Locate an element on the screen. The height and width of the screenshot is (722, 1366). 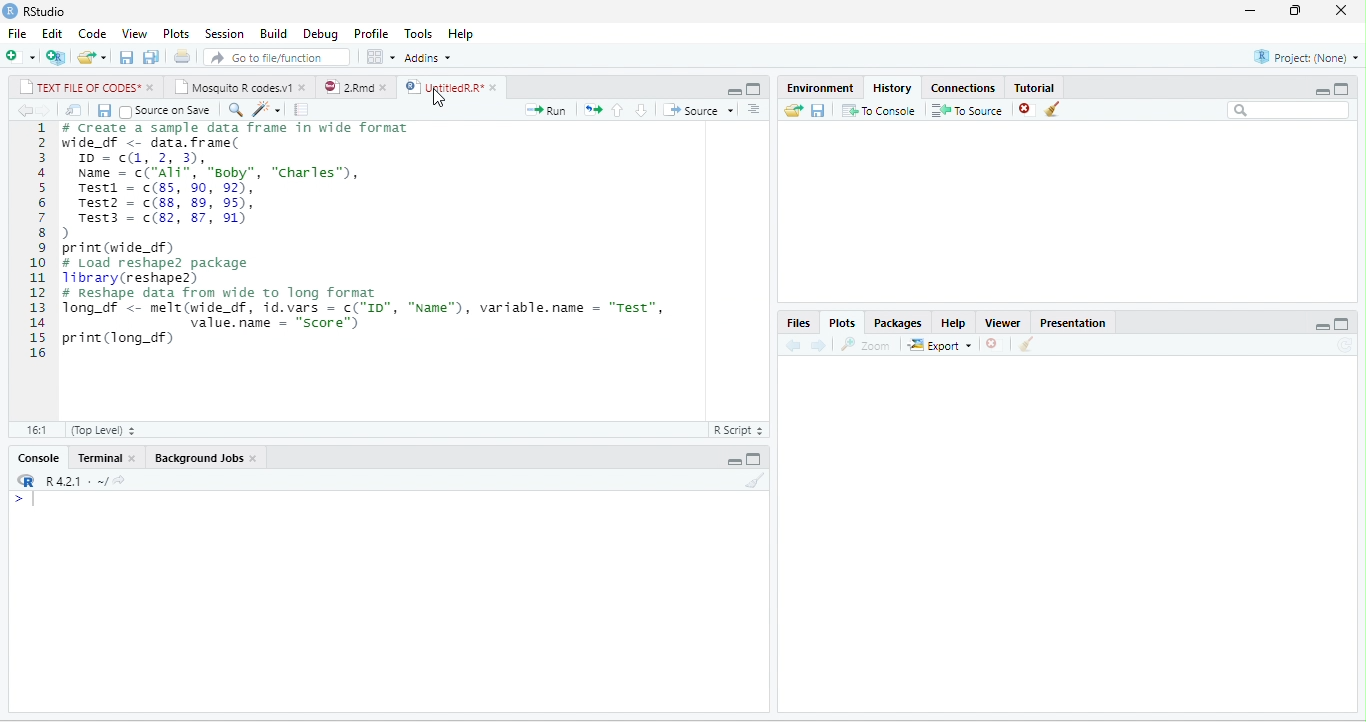
To Console is located at coordinates (879, 109).